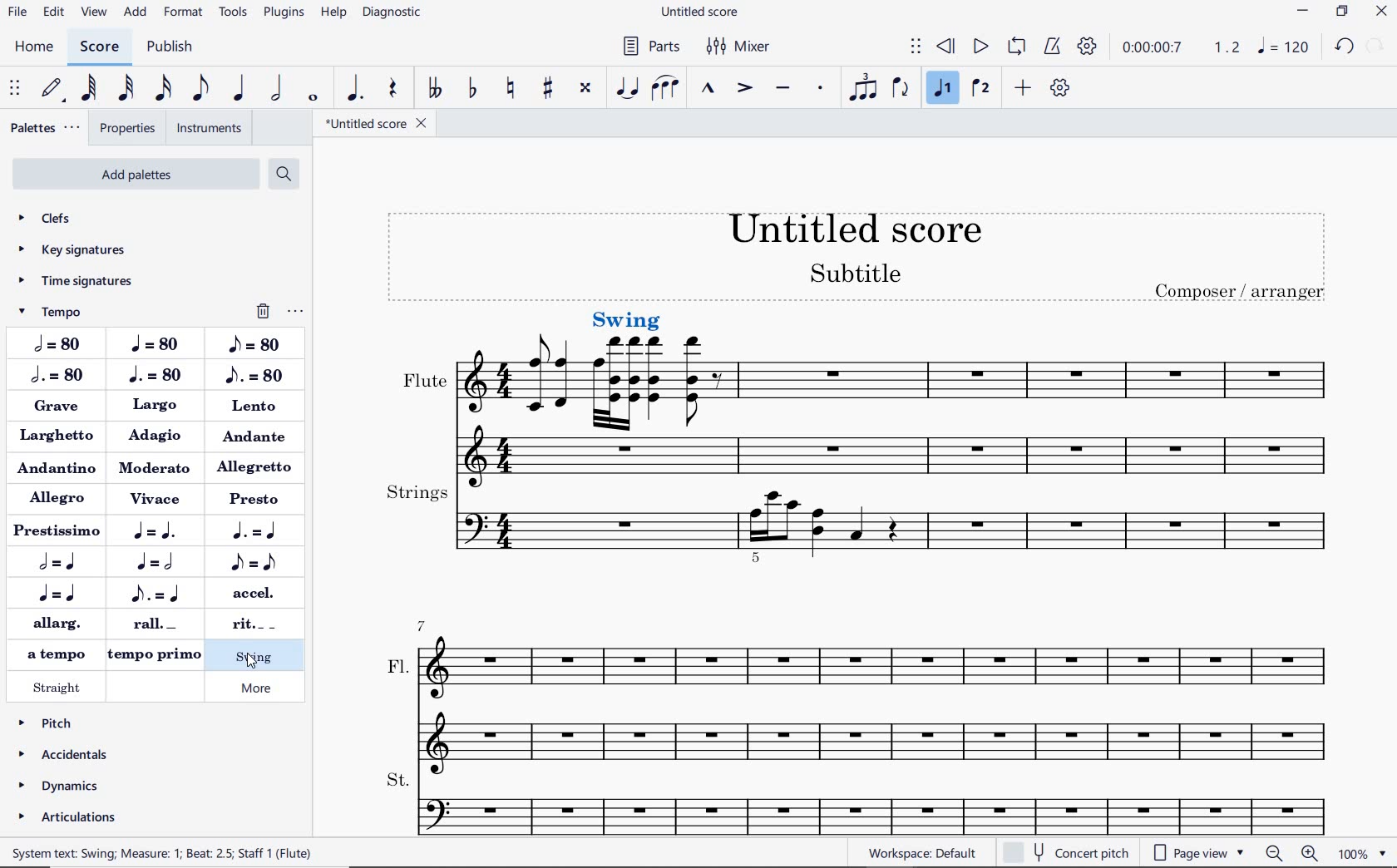  Describe the element at coordinates (861, 254) in the screenshot. I see `title` at that location.